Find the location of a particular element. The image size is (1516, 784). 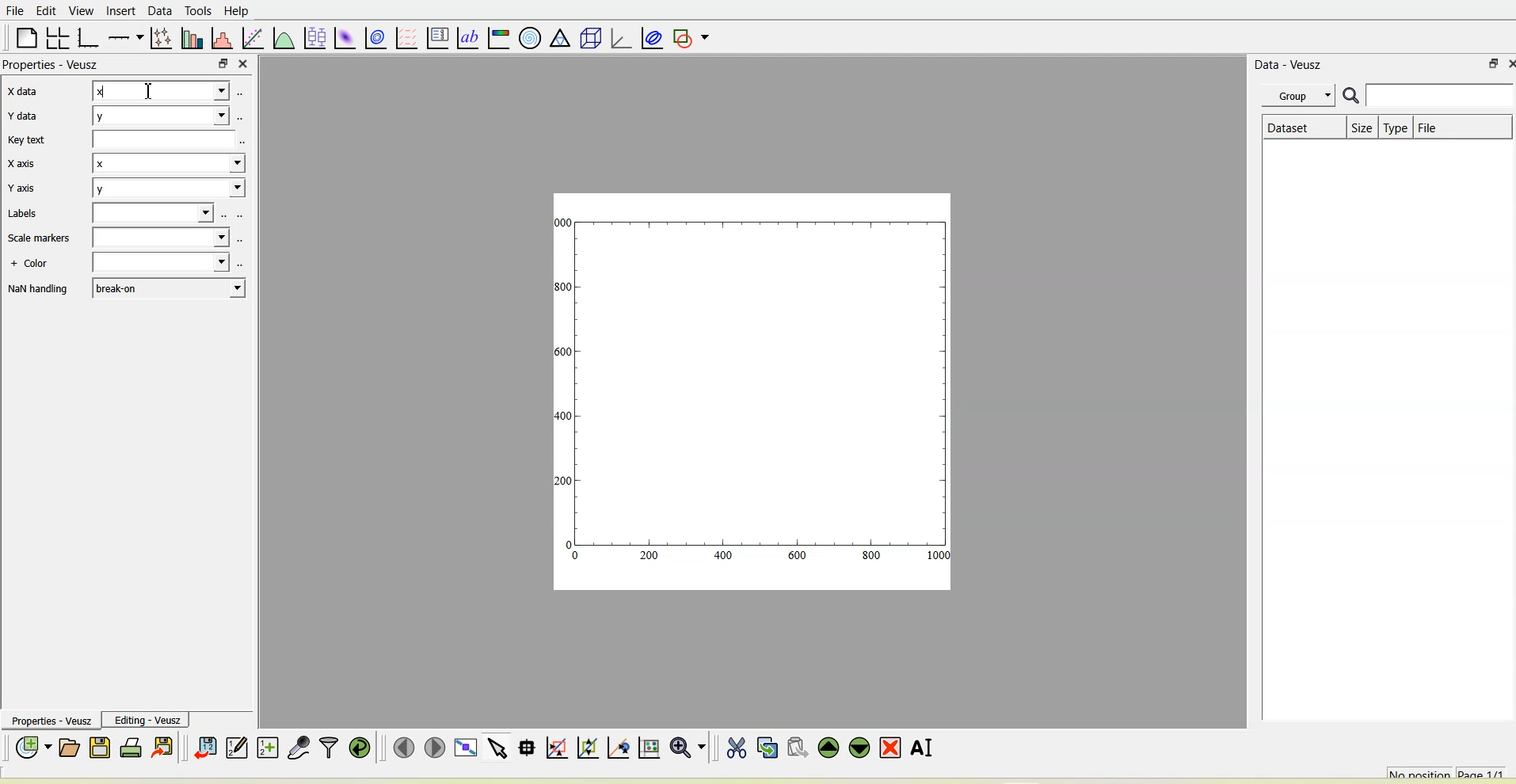

+ Color is located at coordinates (29, 264).